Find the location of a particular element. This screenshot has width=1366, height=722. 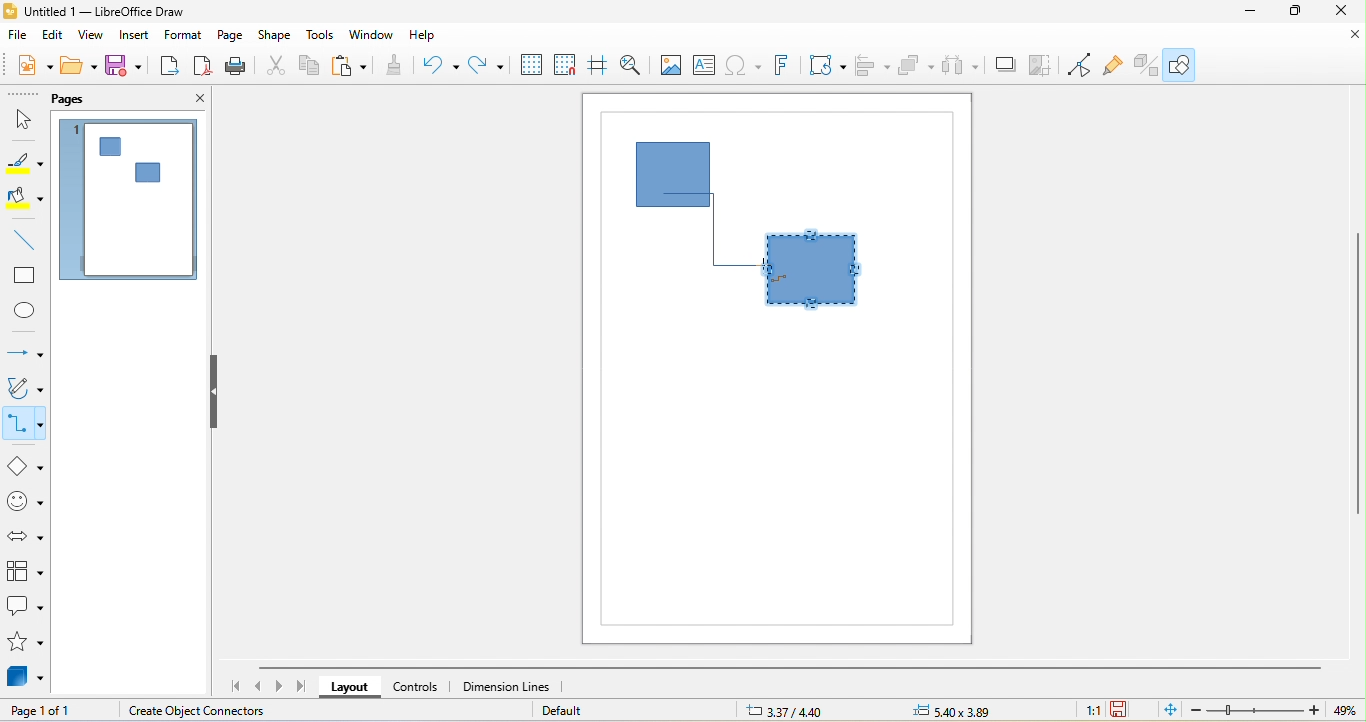

default is located at coordinates (576, 711).